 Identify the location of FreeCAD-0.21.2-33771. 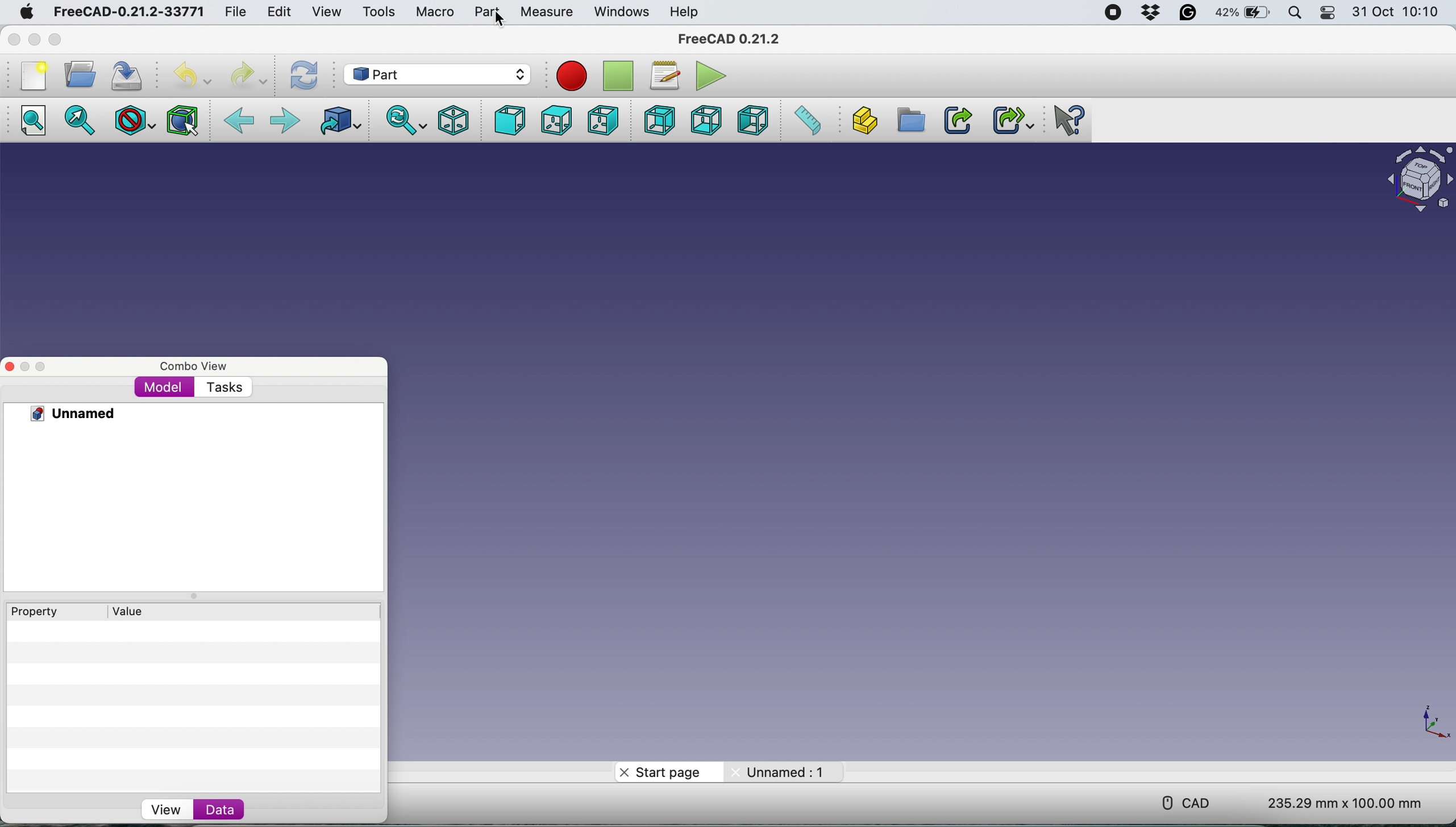
(128, 11).